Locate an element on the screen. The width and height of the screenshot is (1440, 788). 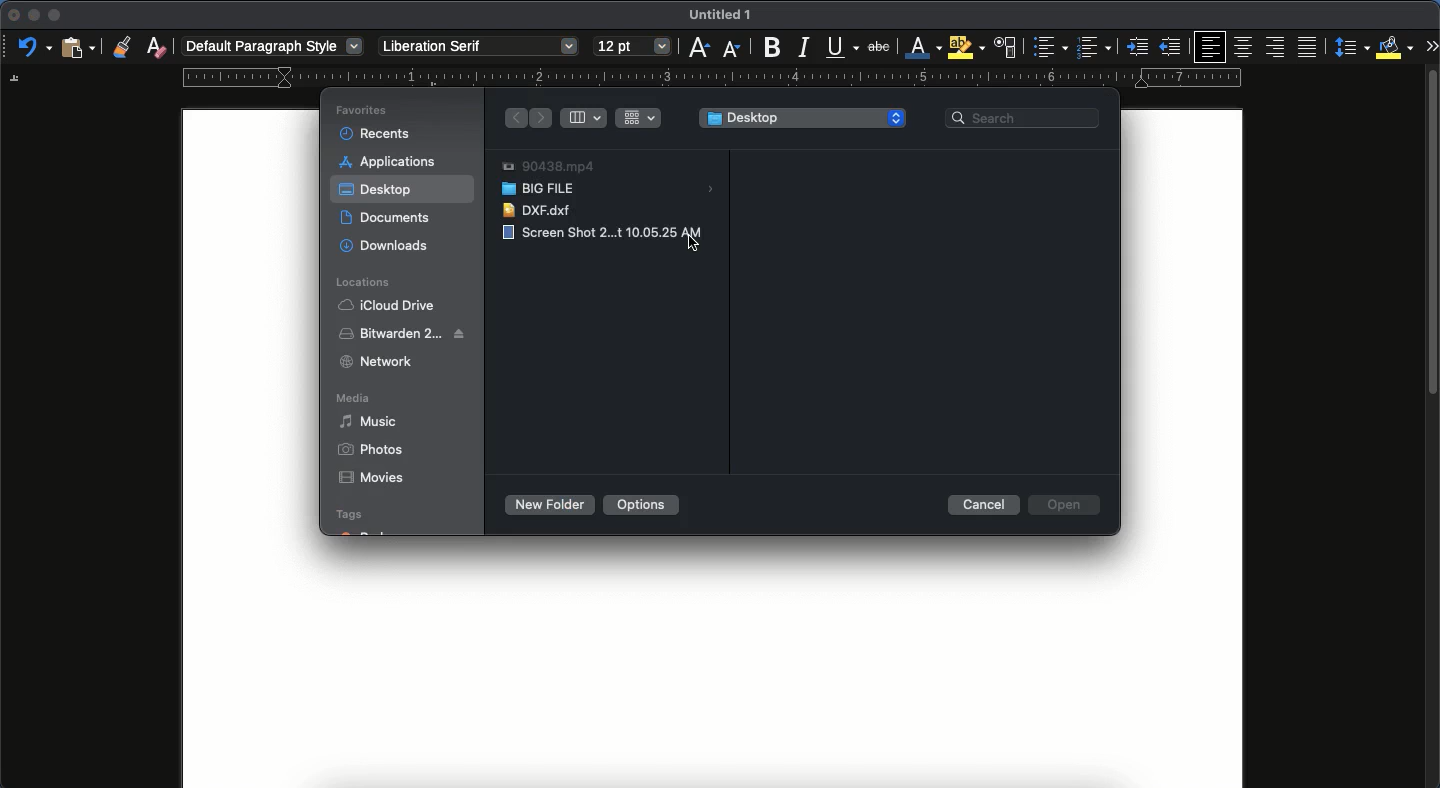
search is located at coordinates (1025, 116).